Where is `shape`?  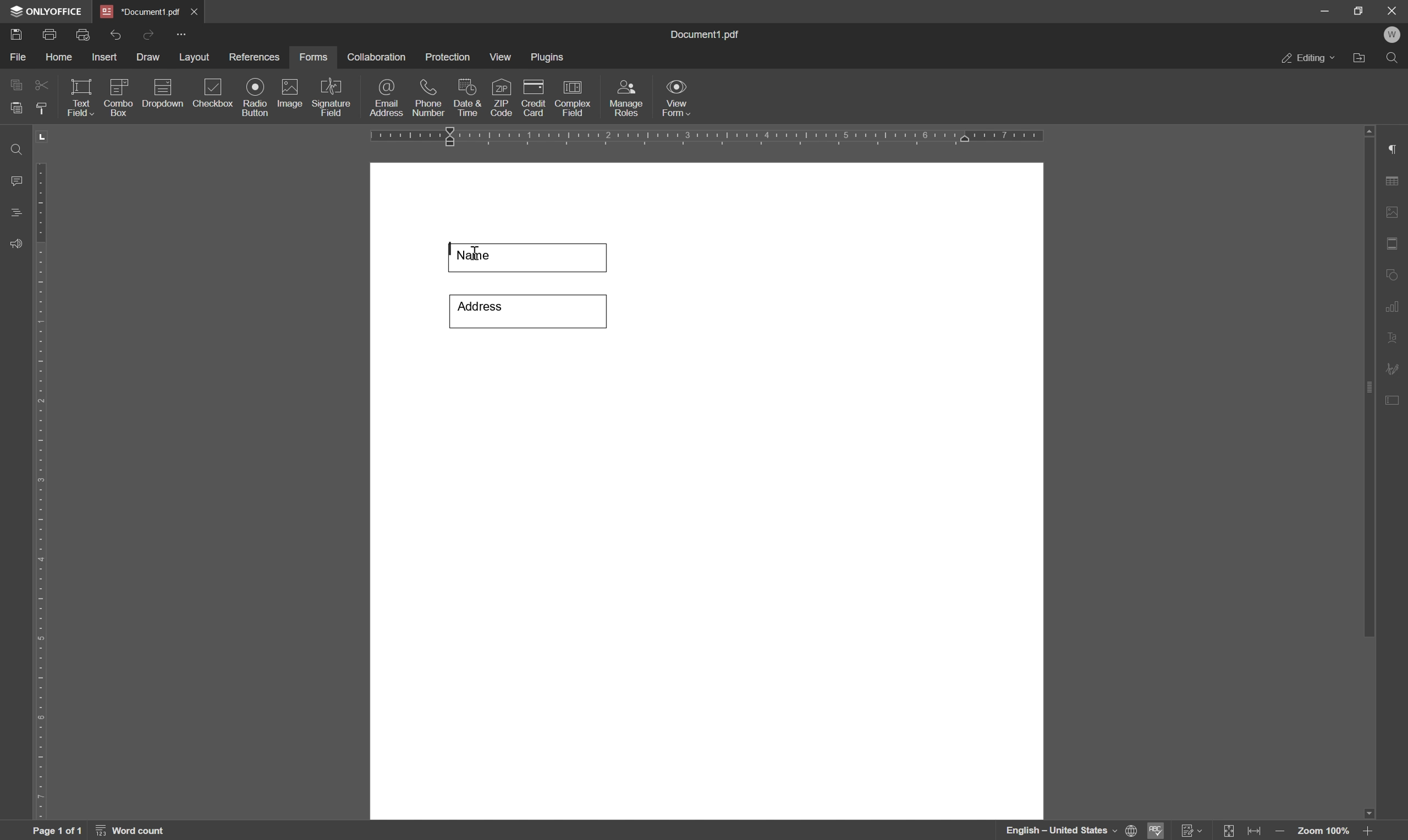
shape is located at coordinates (1395, 272).